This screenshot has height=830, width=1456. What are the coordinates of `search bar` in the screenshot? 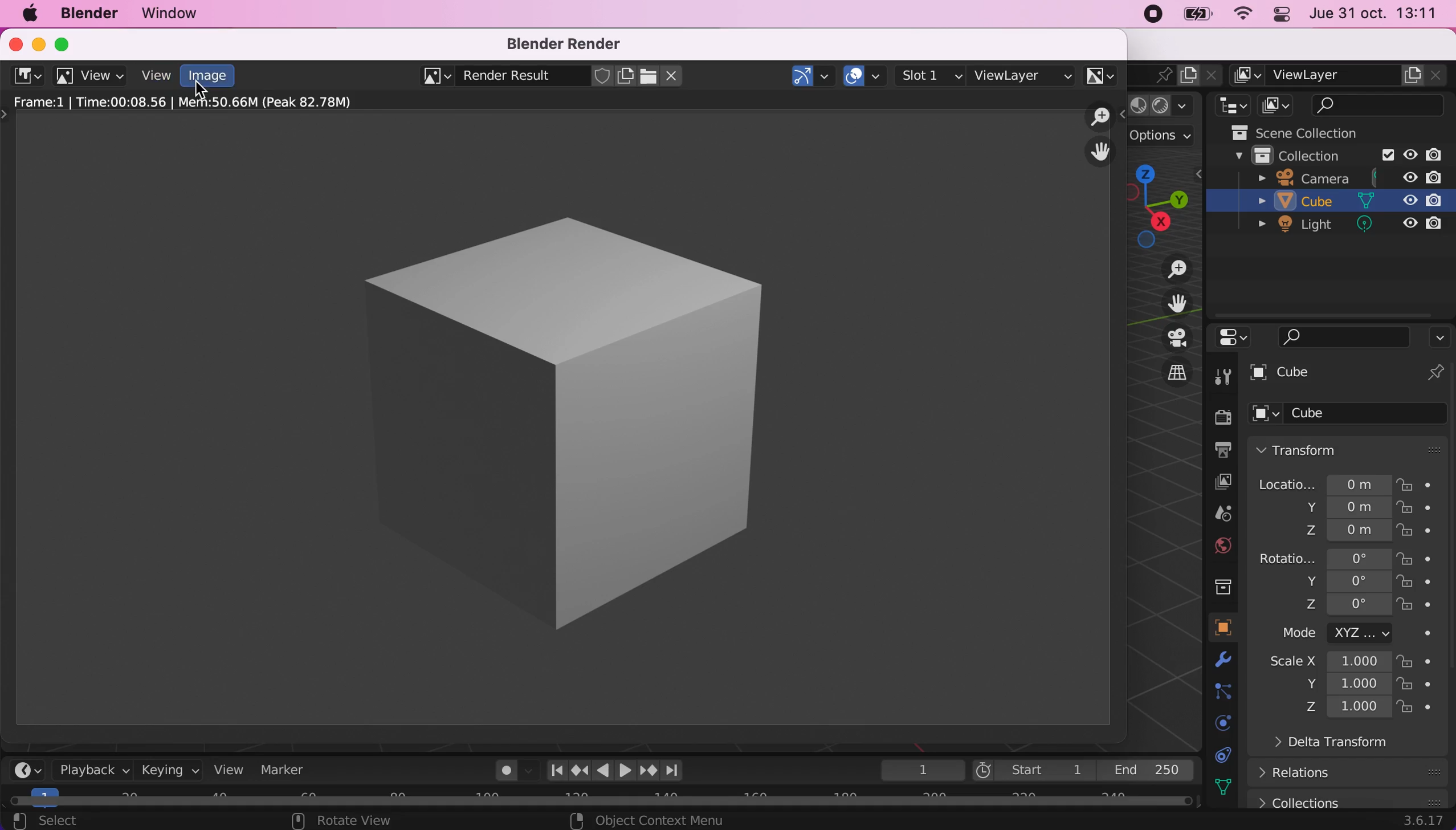 It's located at (1335, 337).